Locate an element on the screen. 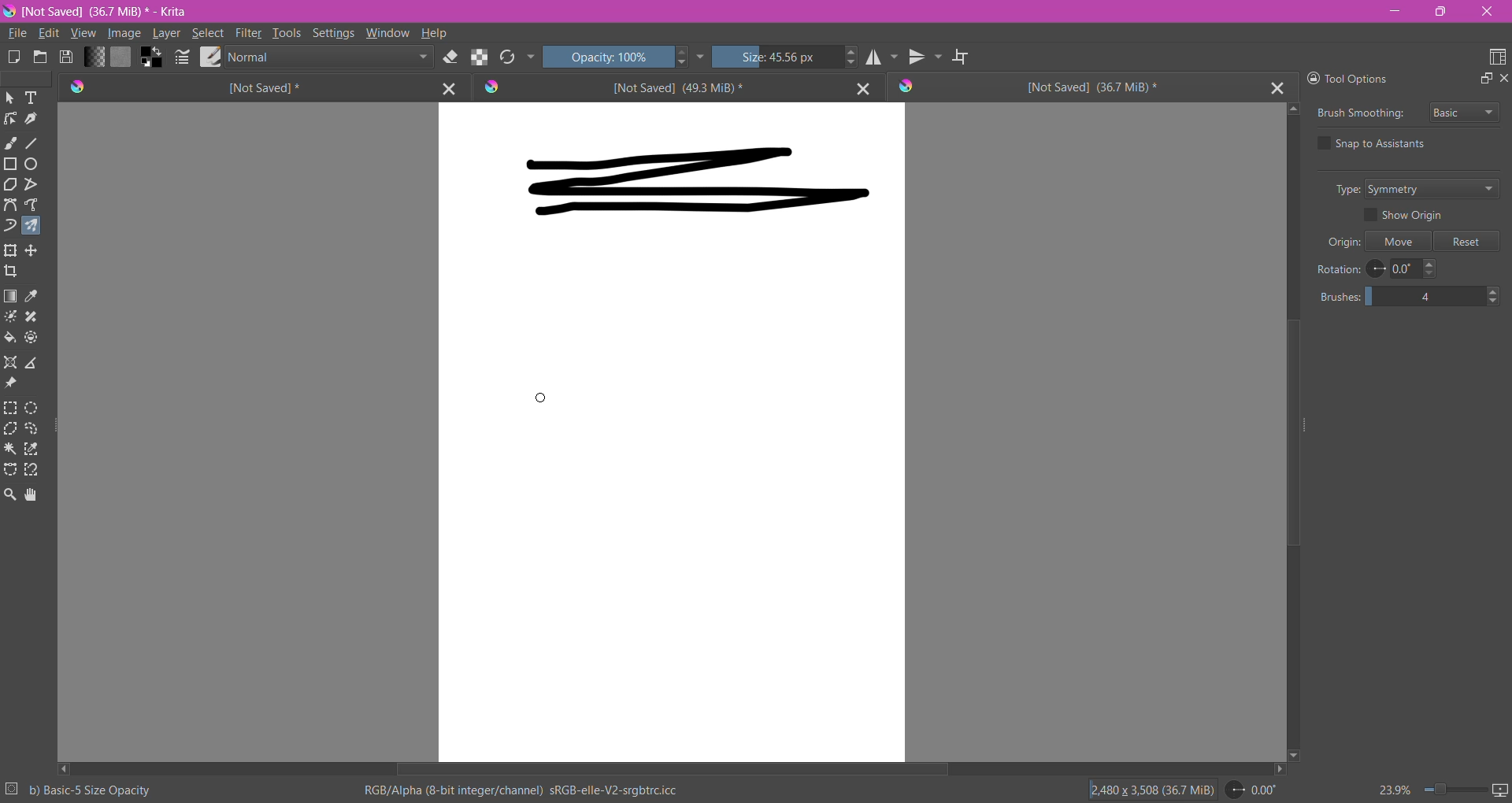  Window is located at coordinates (388, 32).